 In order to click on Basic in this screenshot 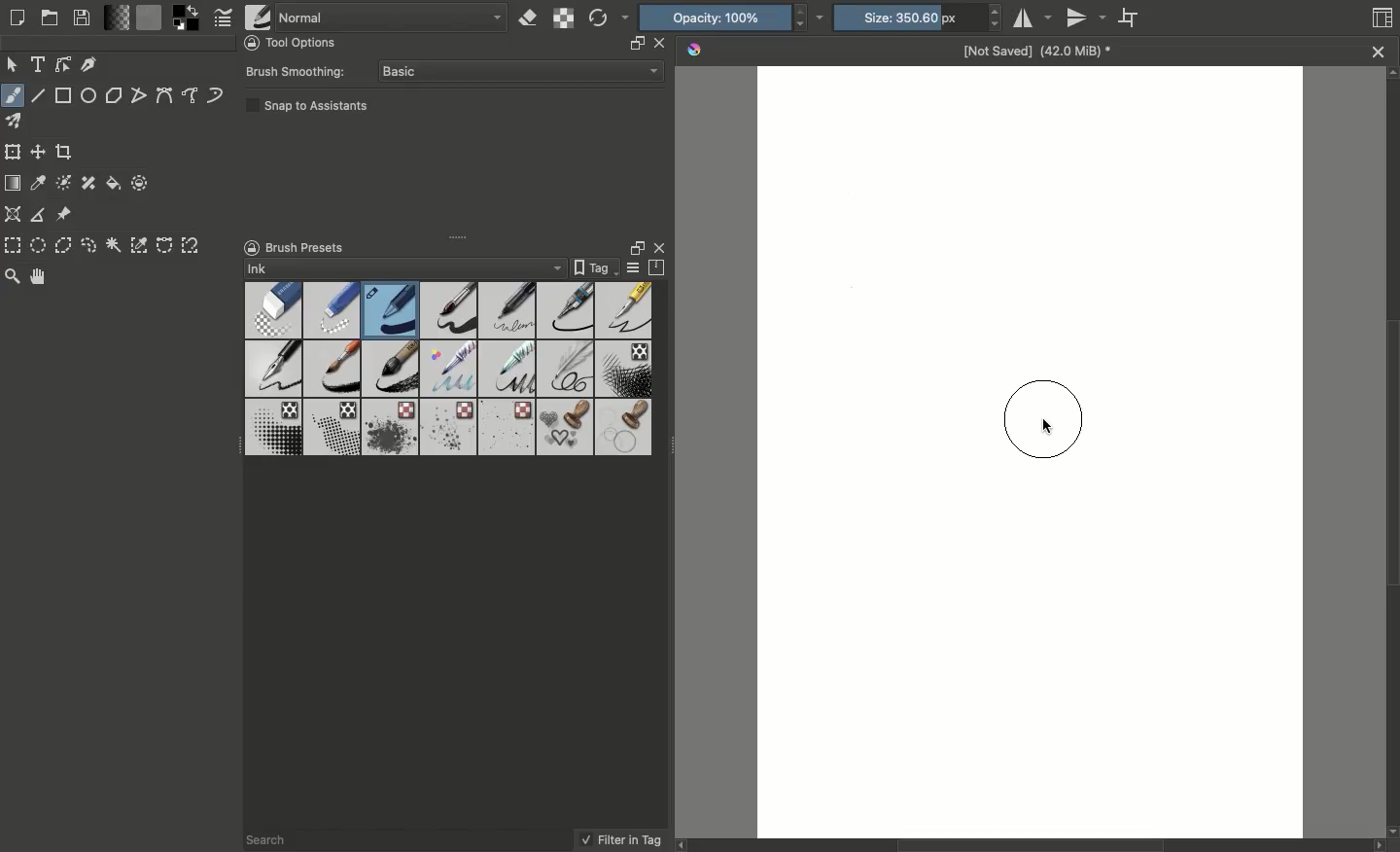, I will do `click(520, 73)`.